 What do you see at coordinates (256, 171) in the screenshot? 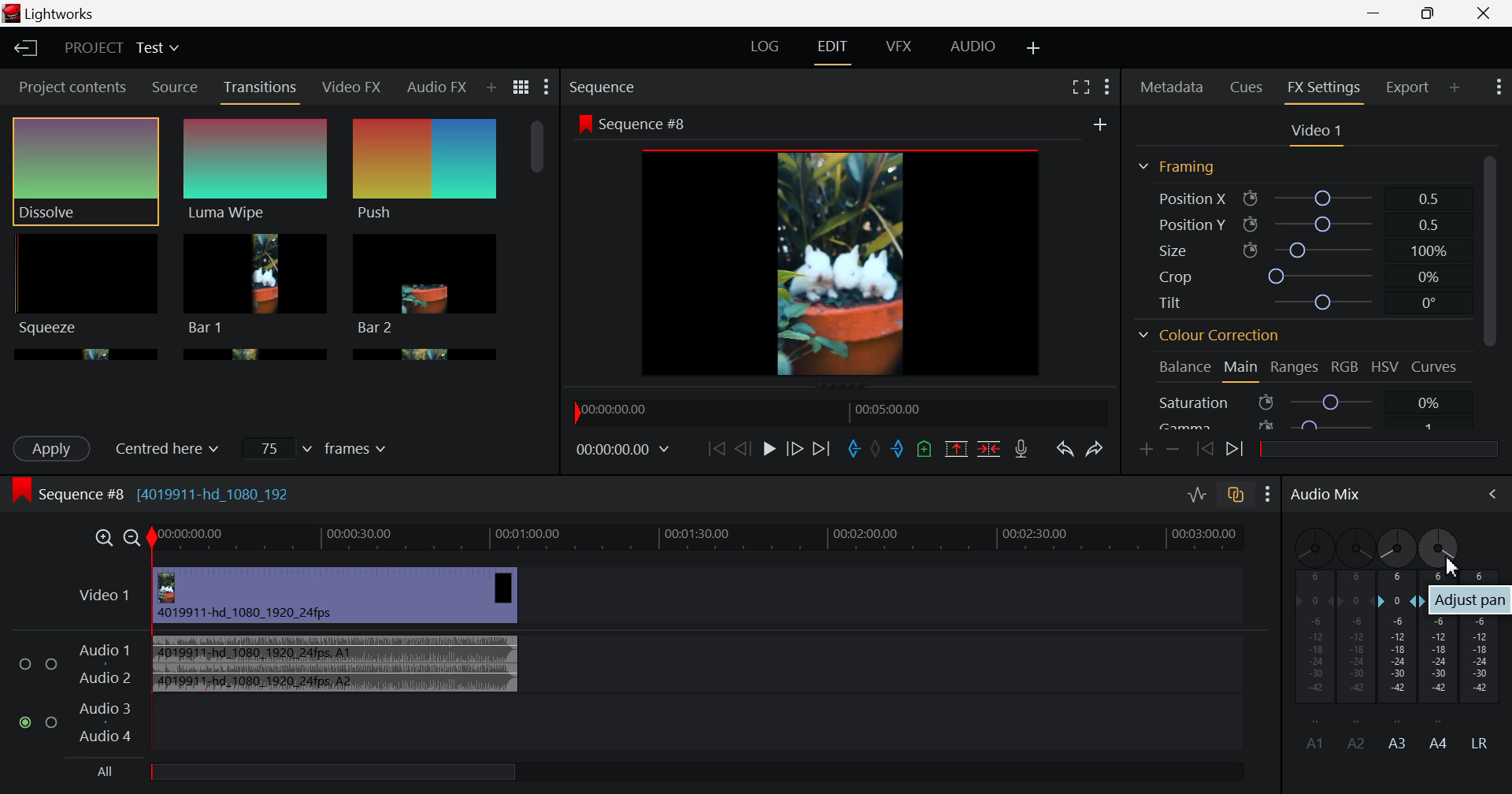
I see `Luma Wipe` at bounding box center [256, 171].